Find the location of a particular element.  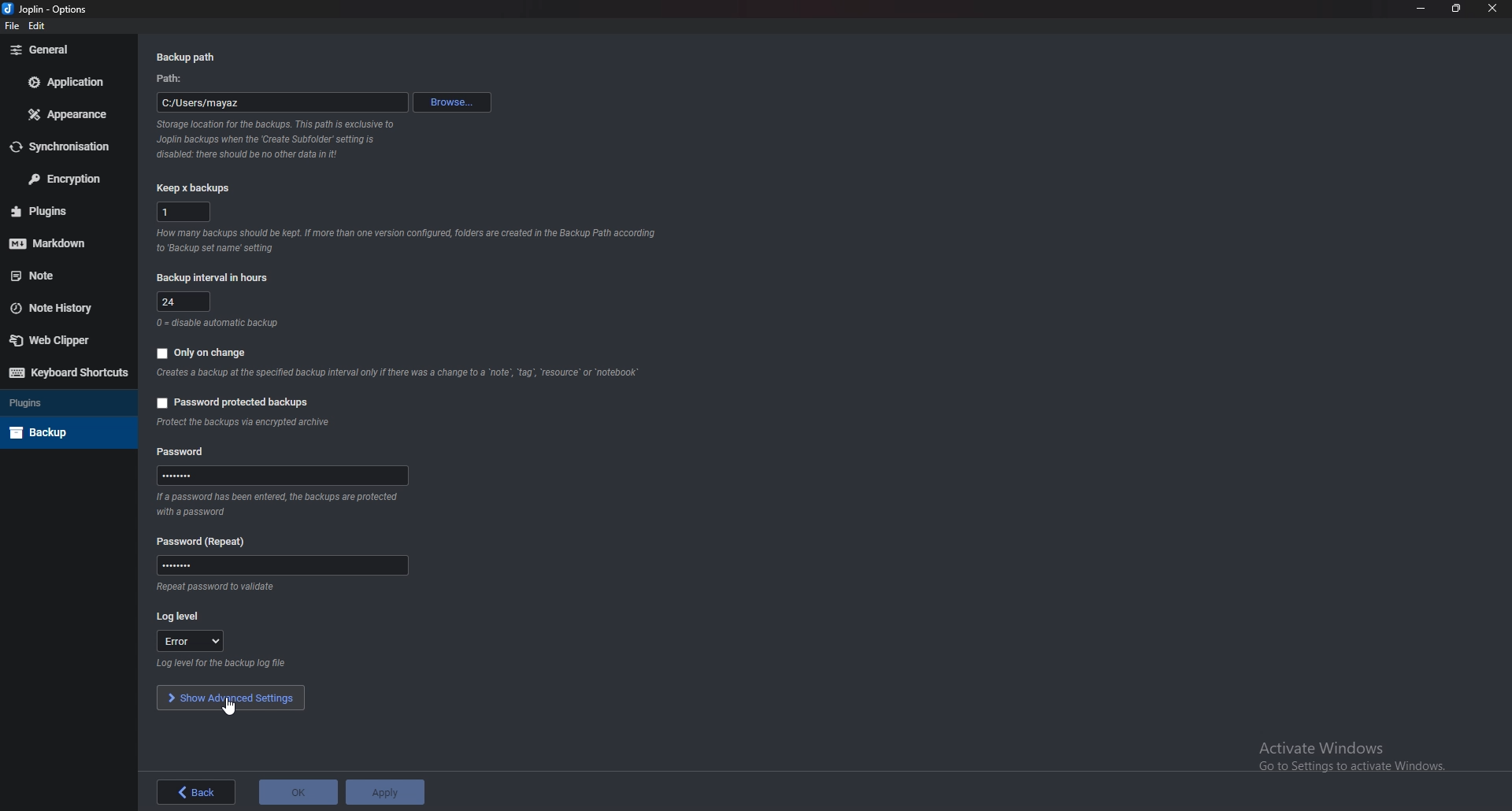

Appearance is located at coordinates (72, 113).